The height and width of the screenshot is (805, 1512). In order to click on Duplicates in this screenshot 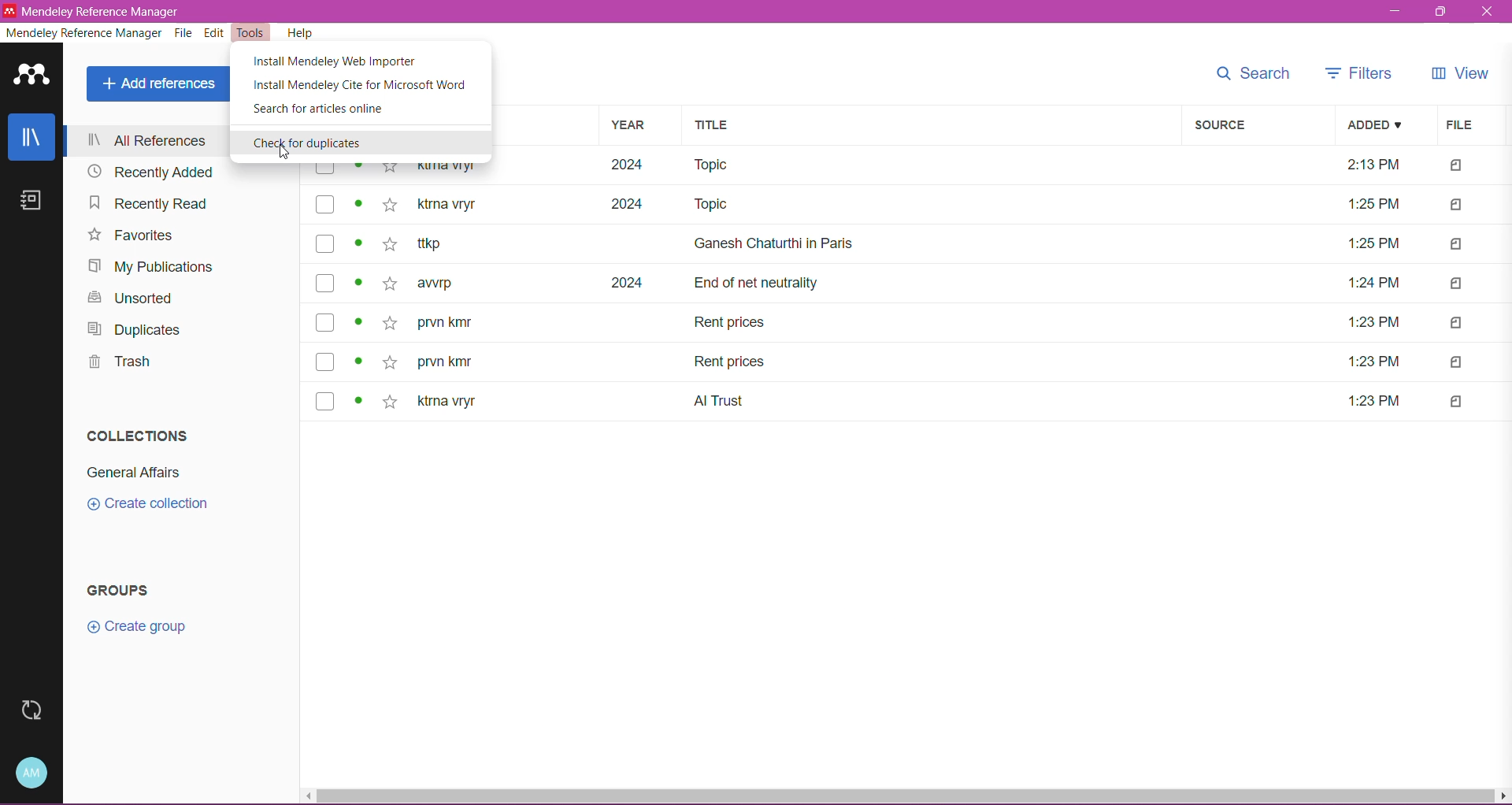, I will do `click(139, 332)`.